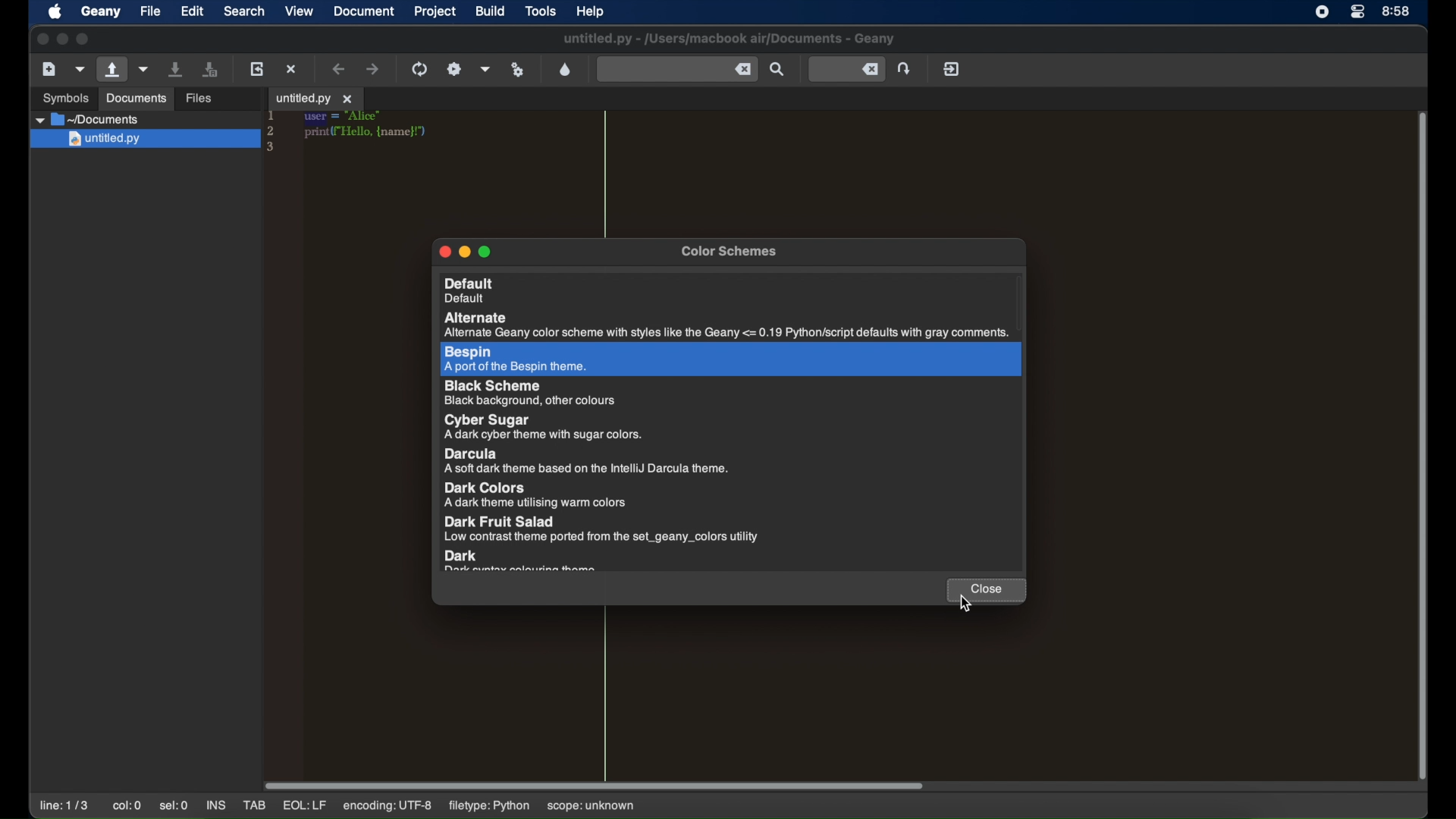 The height and width of the screenshot is (819, 1456). Describe the element at coordinates (846, 70) in the screenshot. I see `jump  to the entered line number` at that location.